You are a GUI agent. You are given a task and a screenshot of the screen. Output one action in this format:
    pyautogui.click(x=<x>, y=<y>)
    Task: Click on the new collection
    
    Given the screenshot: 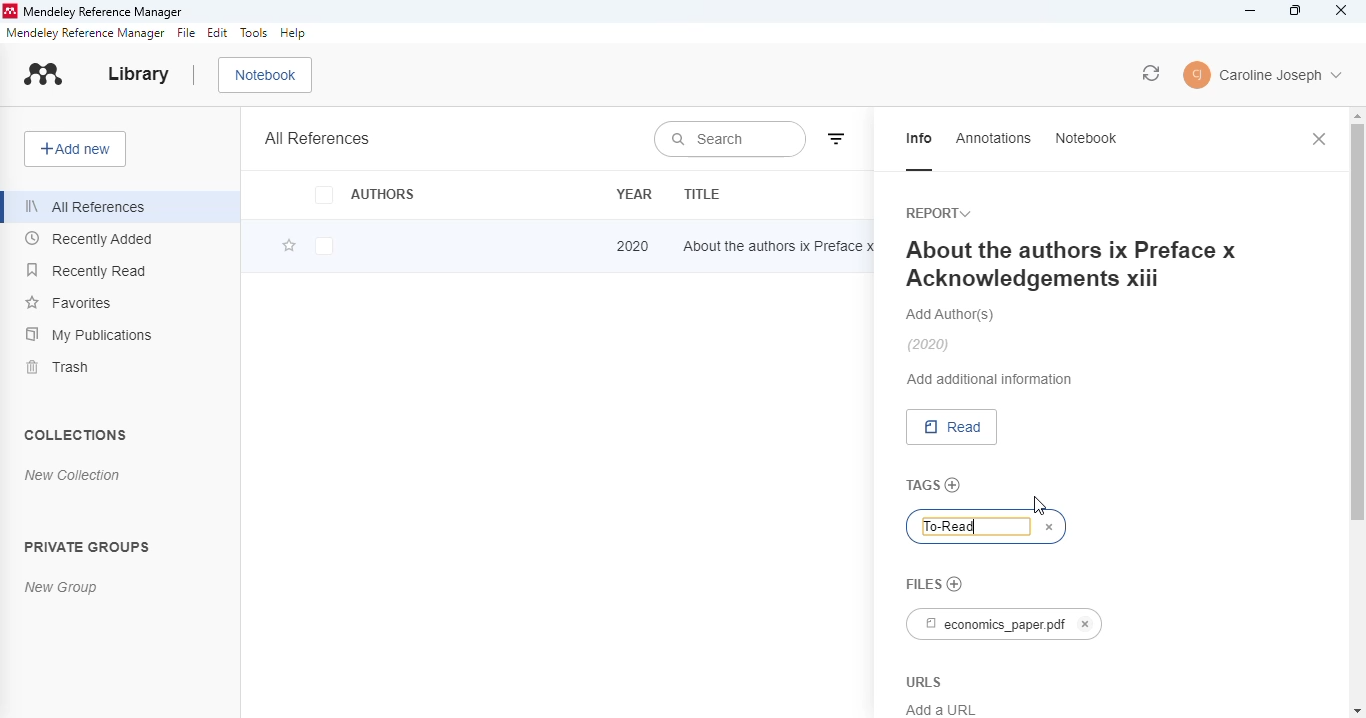 What is the action you would take?
    pyautogui.click(x=73, y=475)
    